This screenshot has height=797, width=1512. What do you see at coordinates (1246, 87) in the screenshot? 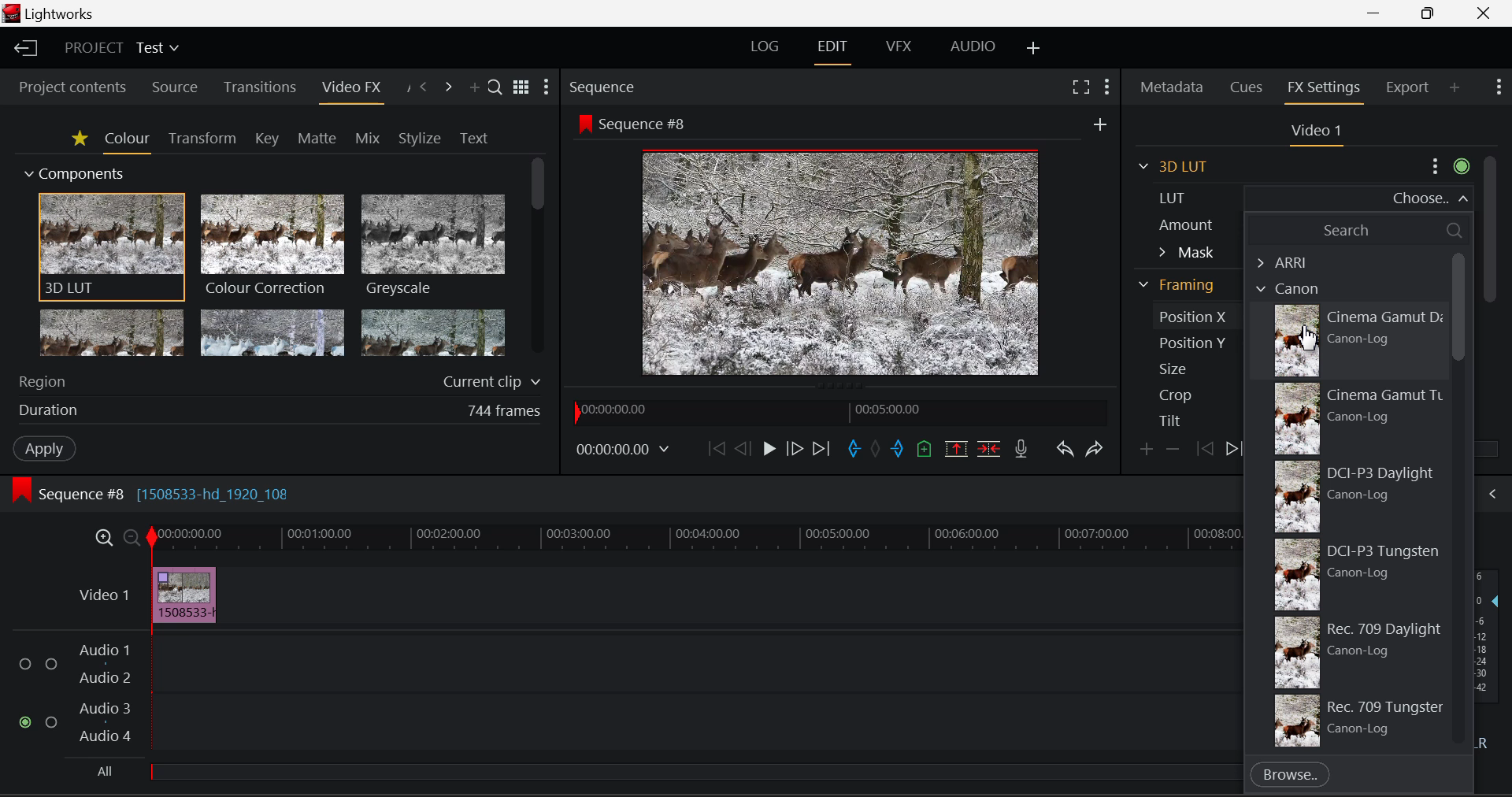
I see `Cues` at bounding box center [1246, 87].